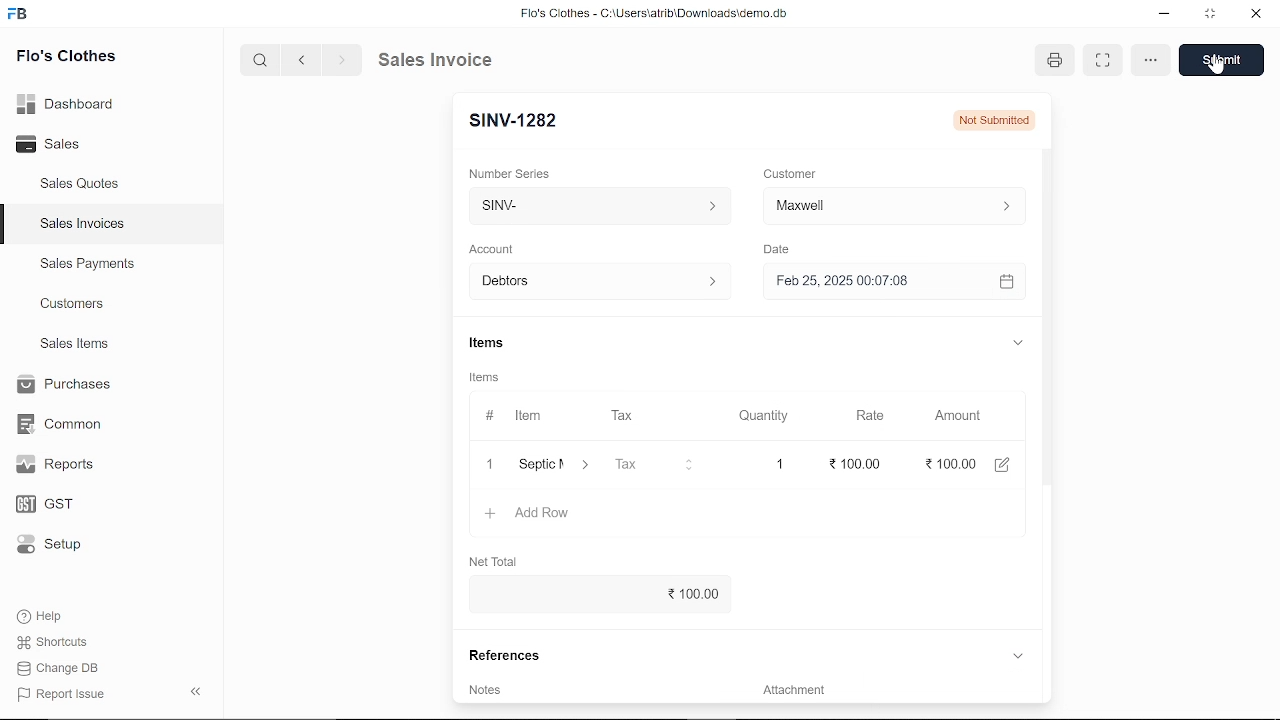 Image resolution: width=1280 pixels, height=720 pixels. Describe the element at coordinates (651, 13) in the screenshot. I see `Flo's Clothes - G:AUserslatribiDownloadsidemo.do` at that location.